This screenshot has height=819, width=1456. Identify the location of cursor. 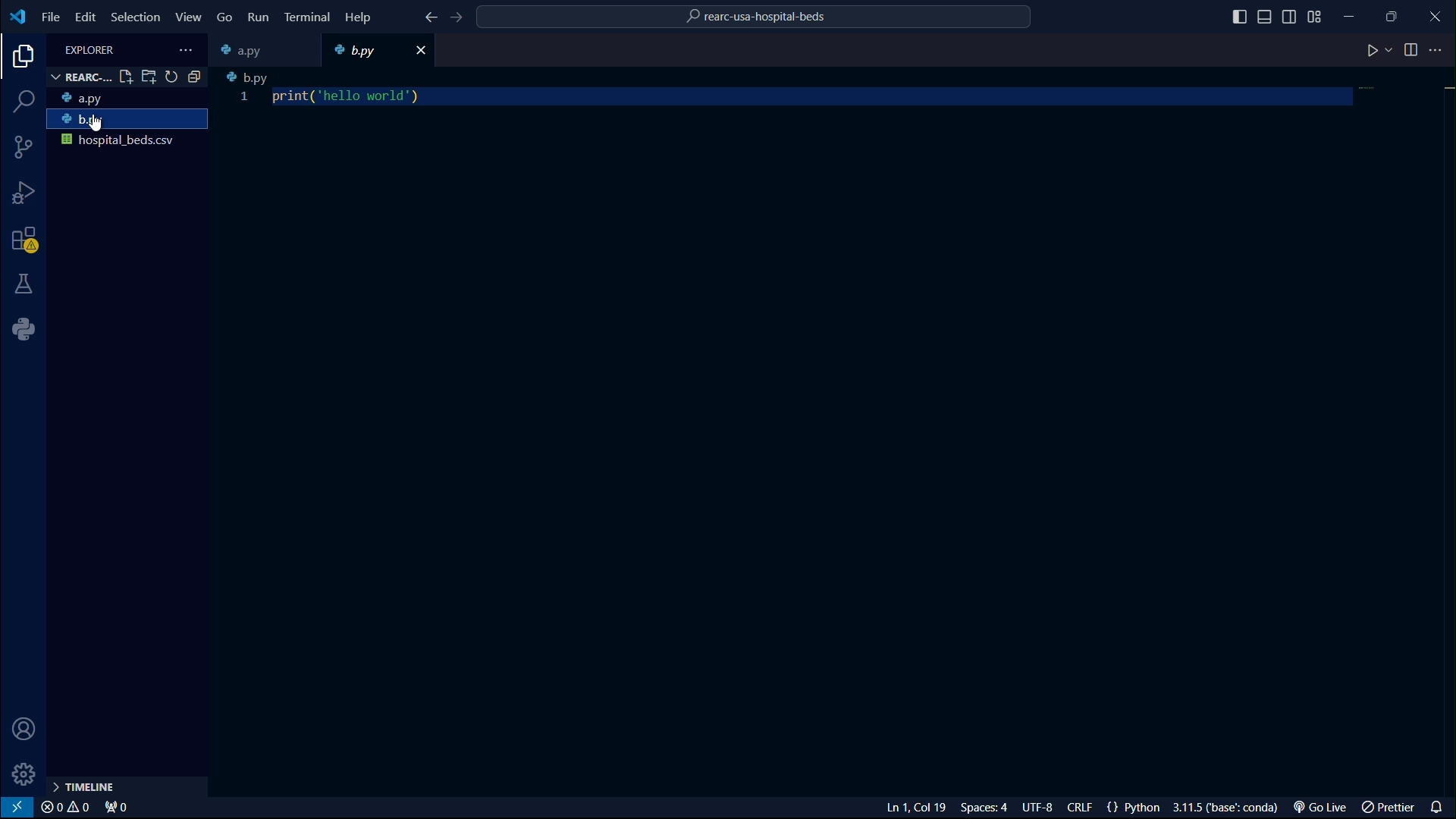
(94, 124).